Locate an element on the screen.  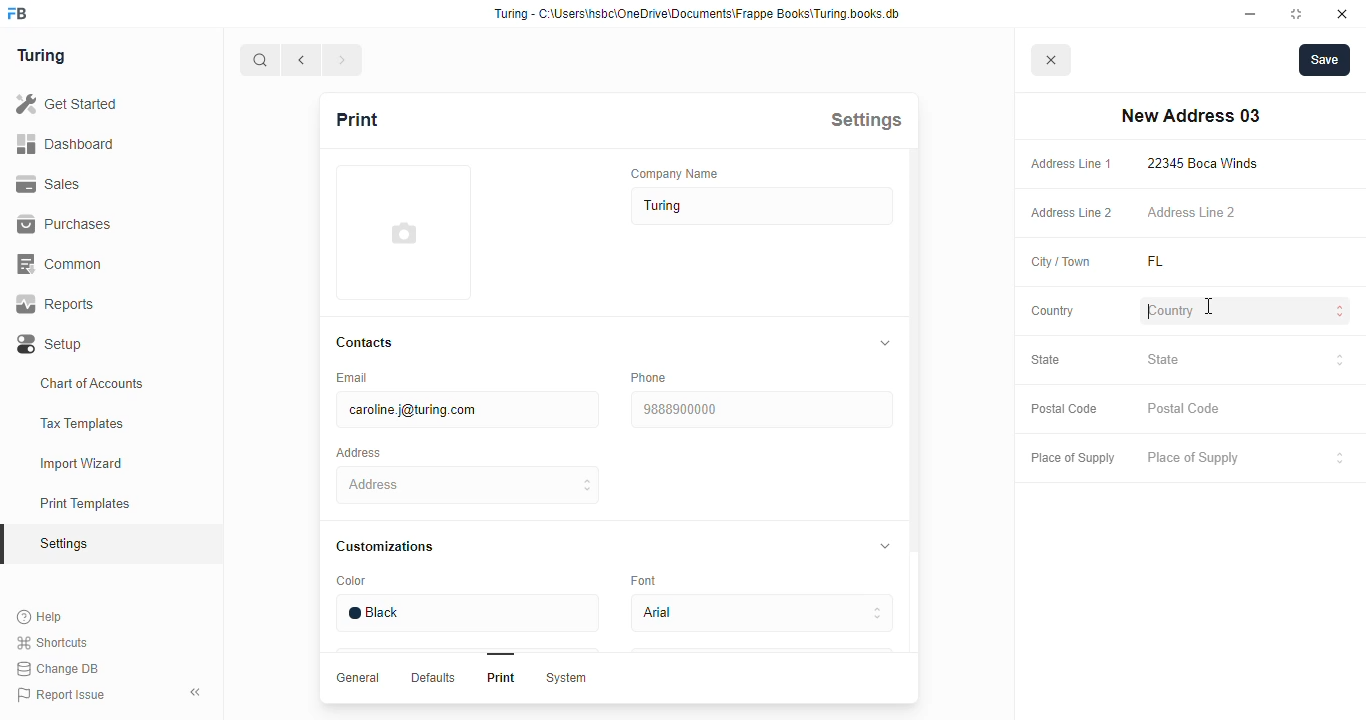
Print is located at coordinates (501, 677).